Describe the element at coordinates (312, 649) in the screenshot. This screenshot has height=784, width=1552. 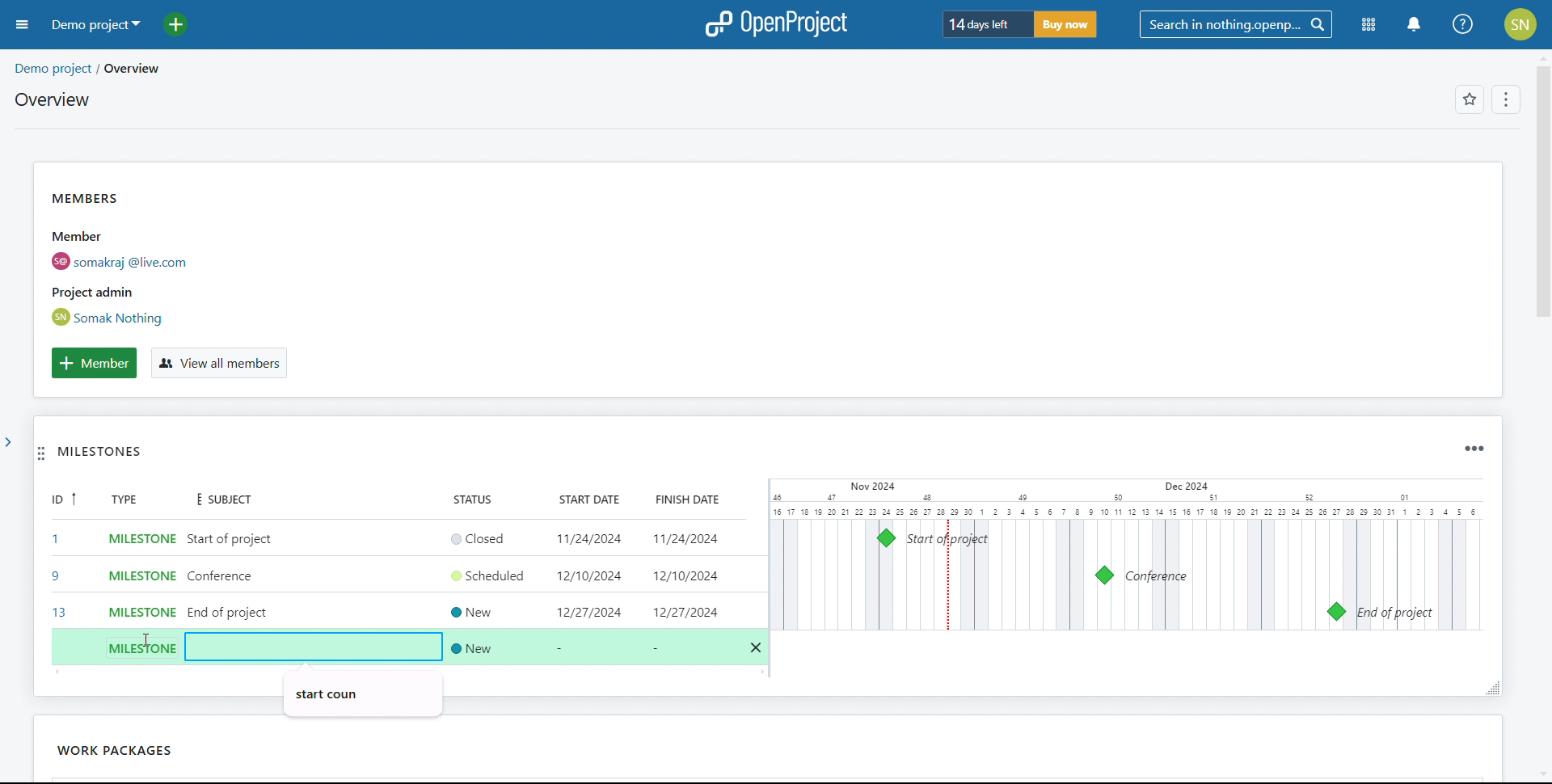
I see `add subject` at that location.